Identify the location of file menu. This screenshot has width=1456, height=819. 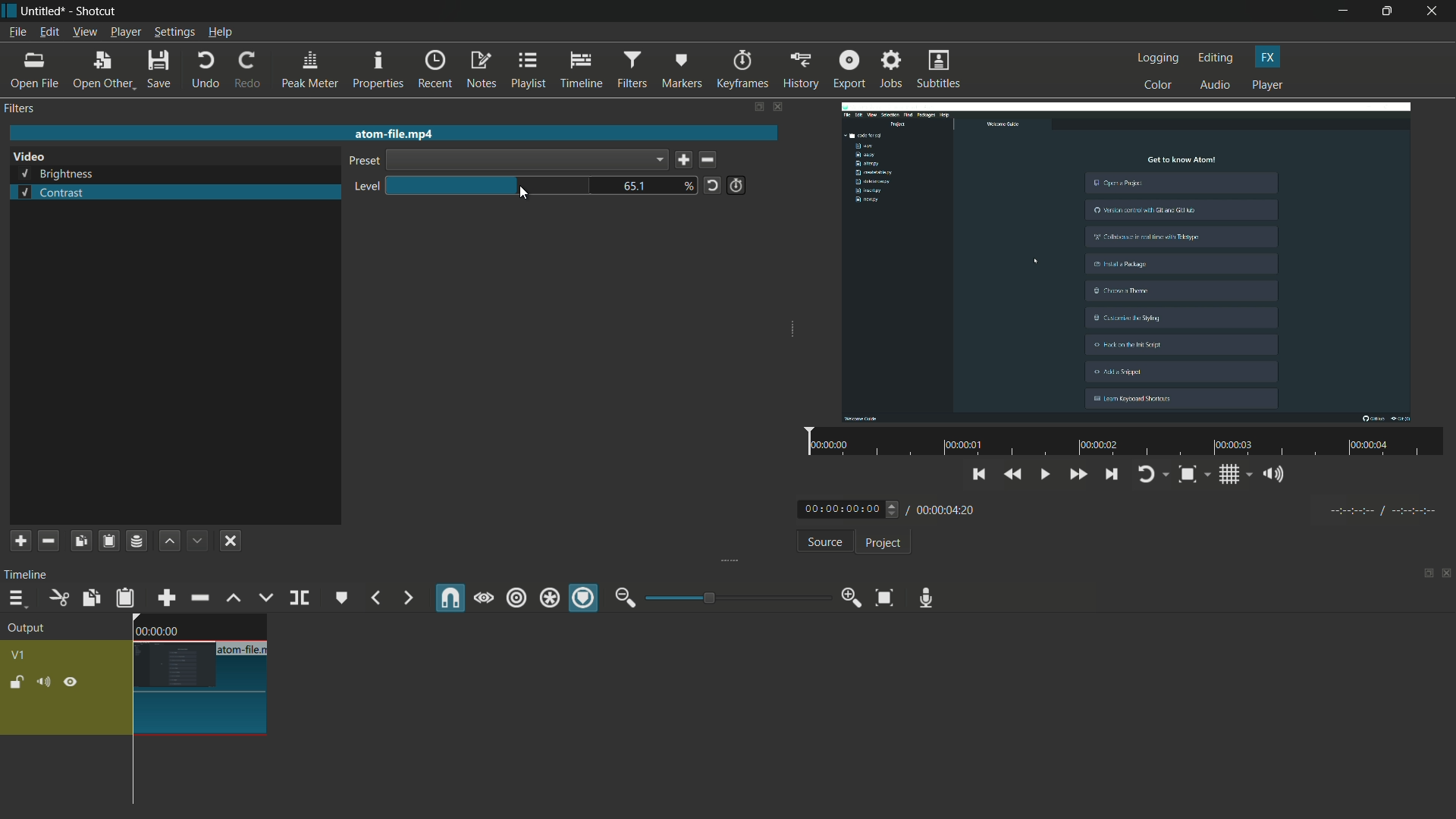
(17, 32).